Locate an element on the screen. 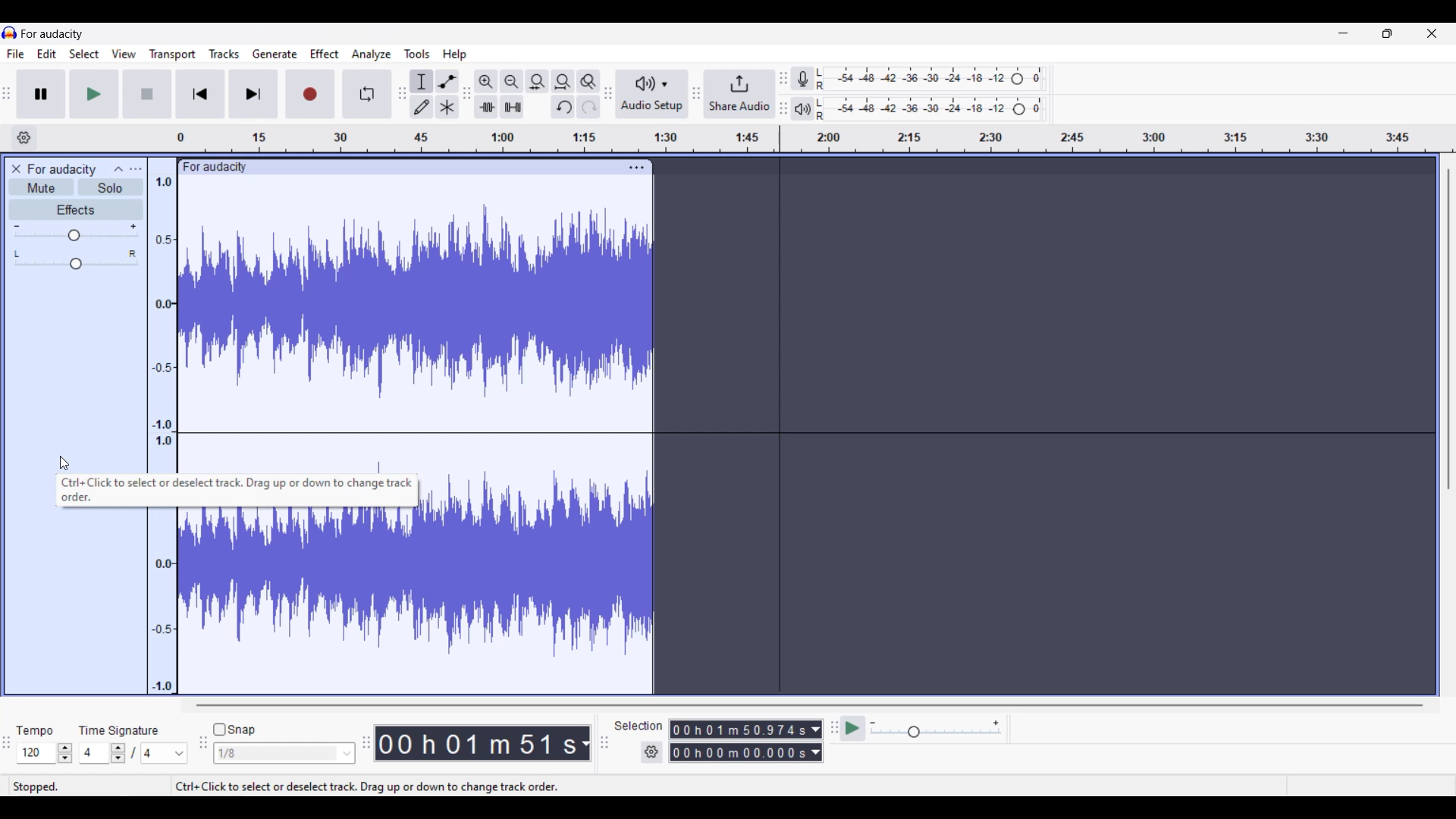 The width and height of the screenshot is (1456, 819). Zoom in is located at coordinates (486, 82).